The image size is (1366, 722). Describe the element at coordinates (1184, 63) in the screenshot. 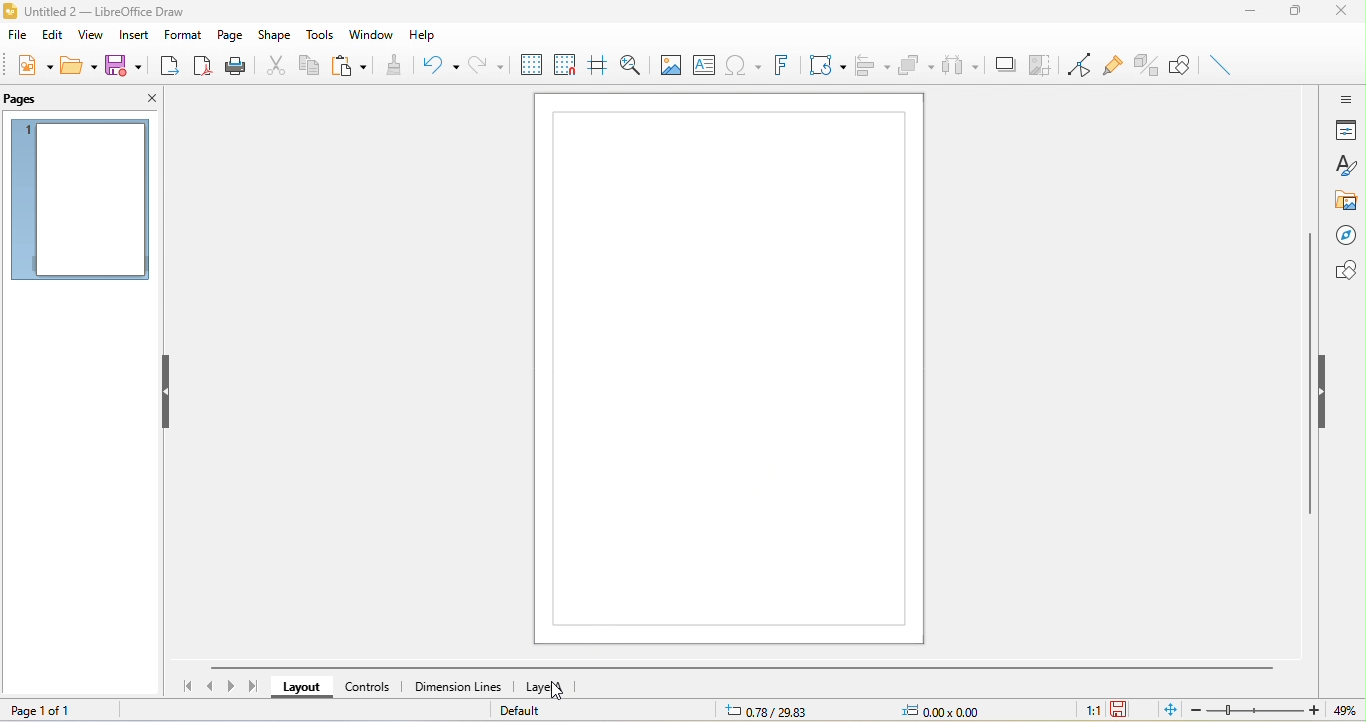

I see `show draw function` at that location.